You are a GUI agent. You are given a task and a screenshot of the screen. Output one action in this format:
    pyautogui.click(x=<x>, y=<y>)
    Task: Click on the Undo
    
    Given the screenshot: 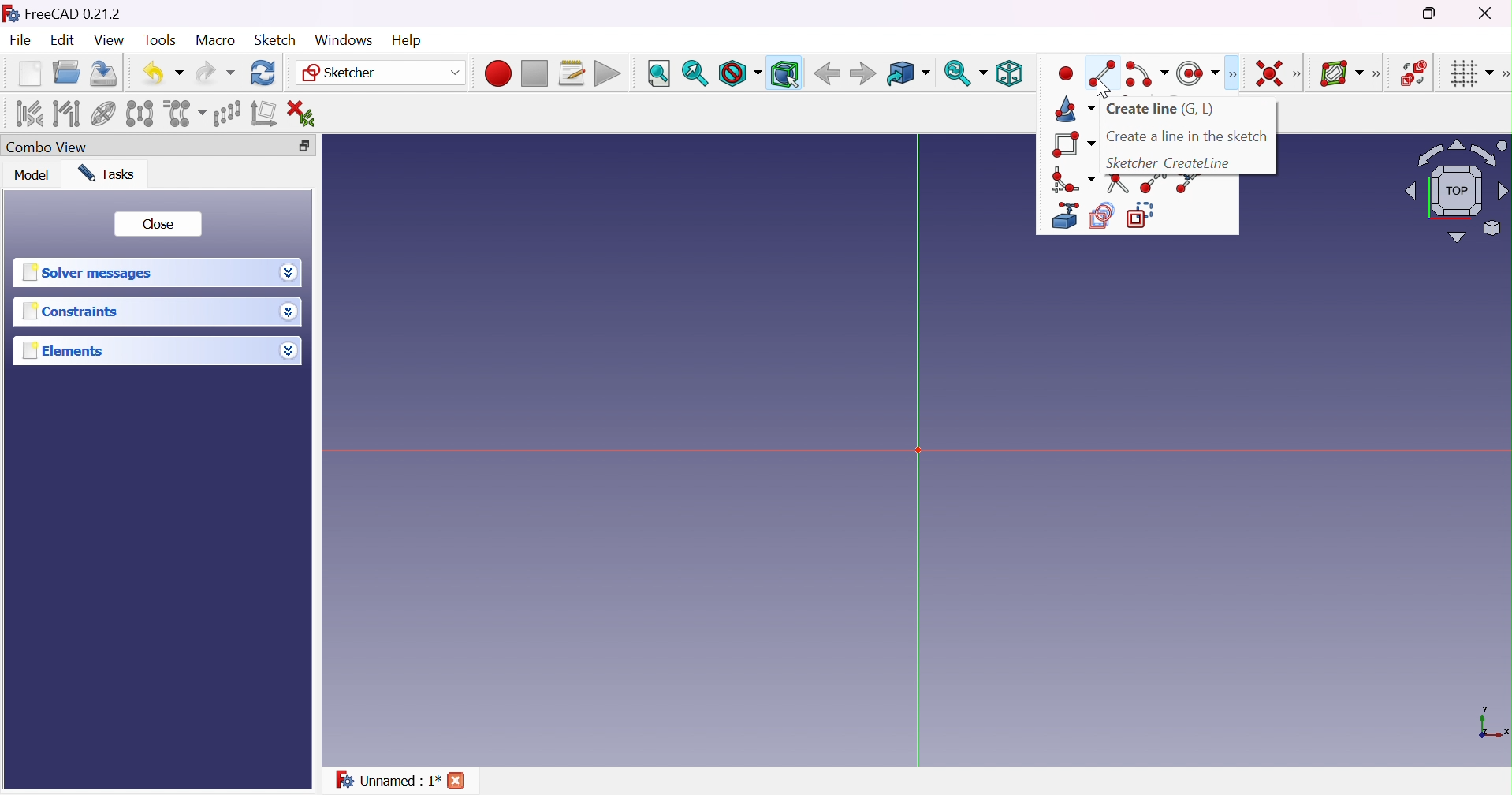 What is the action you would take?
    pyautogui.click(x=162, y=72)
    